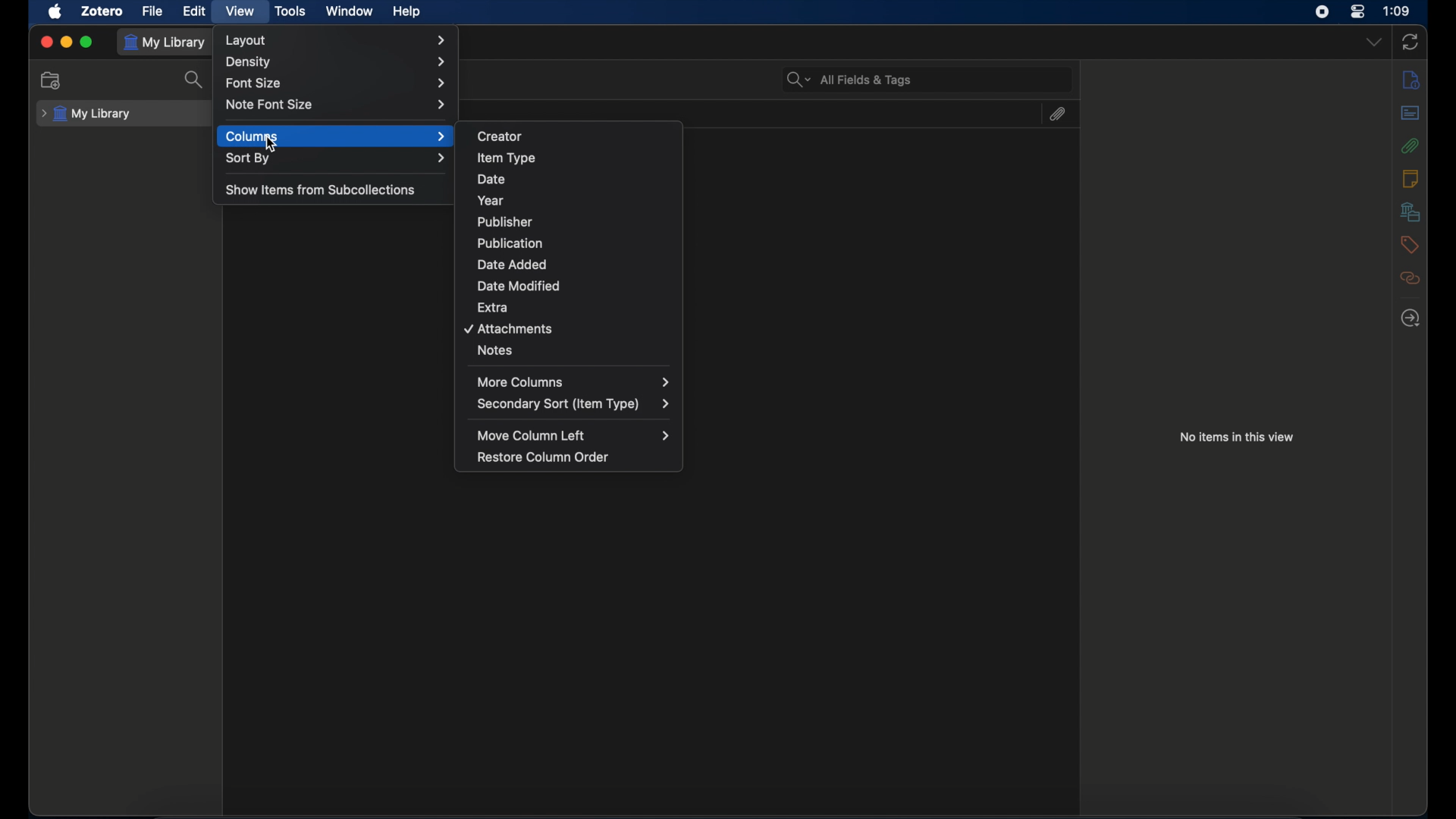 This screenshot has width=1456, height=819. What do you see at coordinates (1410, 278) in the screenshot?
I see `related` at bounding box center [1410, 278].